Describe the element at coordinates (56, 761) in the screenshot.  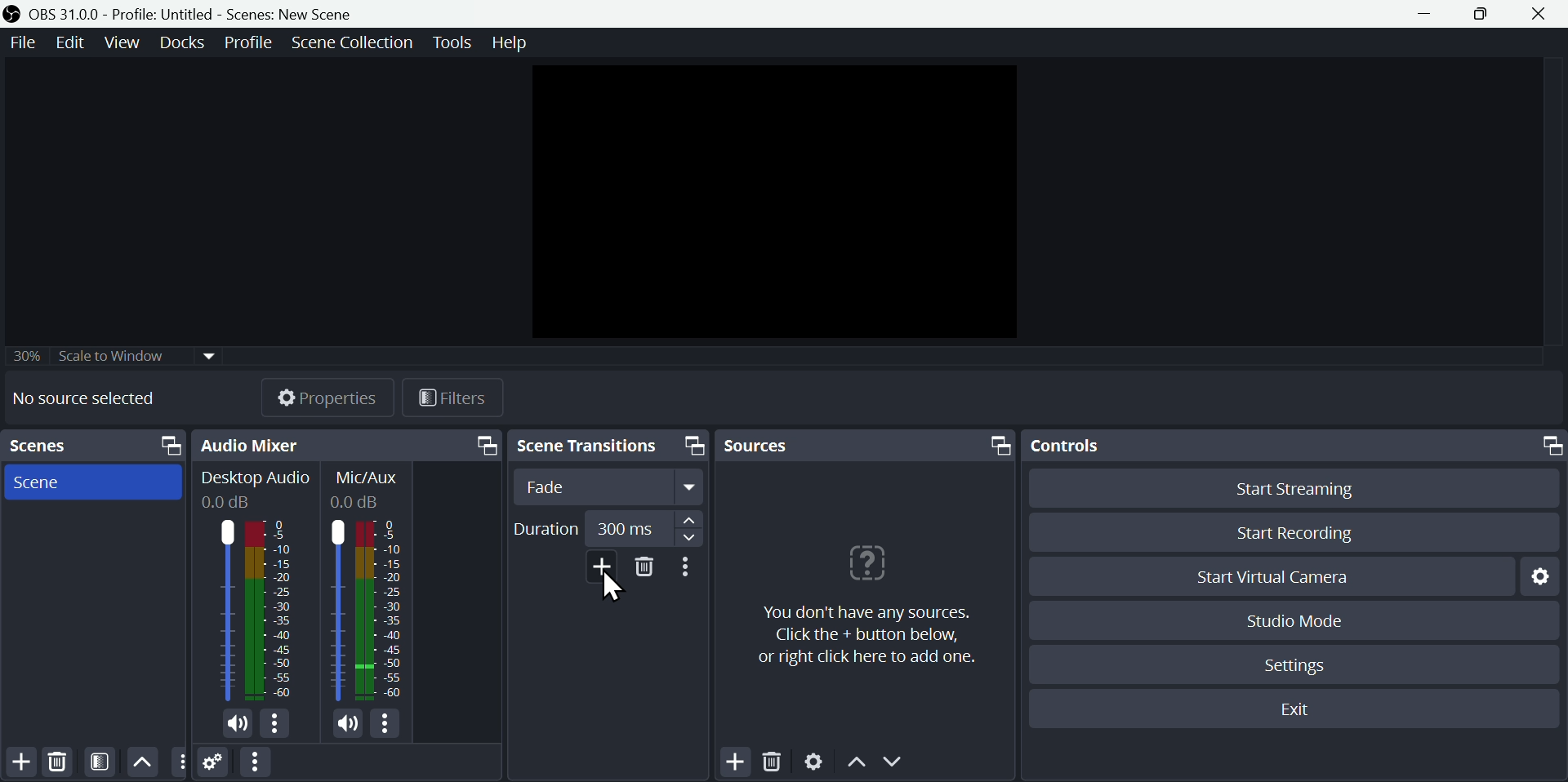
I see `Delete` at that location.